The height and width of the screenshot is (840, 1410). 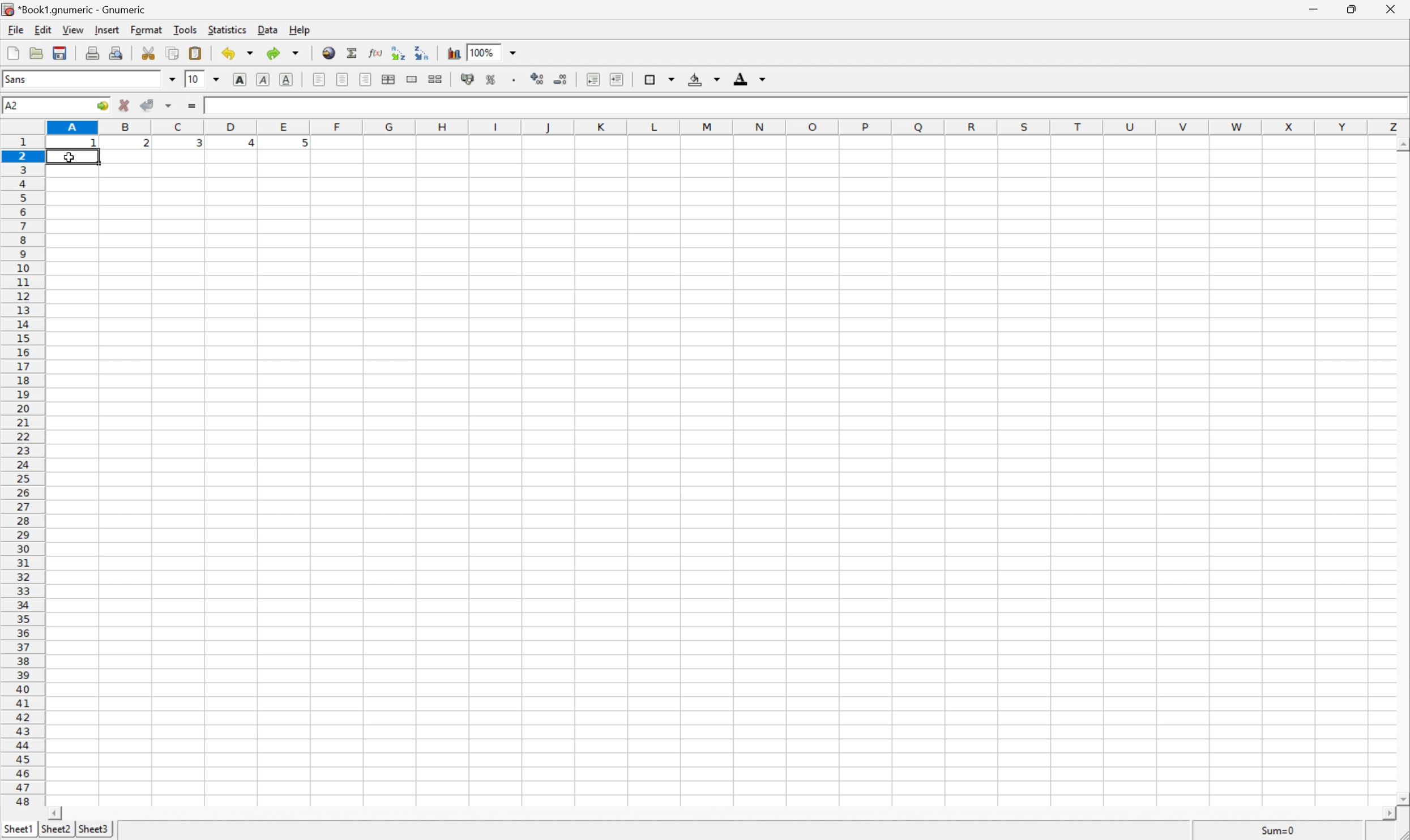 What do you see at coordinates (57, 832) in the screenshot?
I see `sheet2` at bounding box center [57, 832].